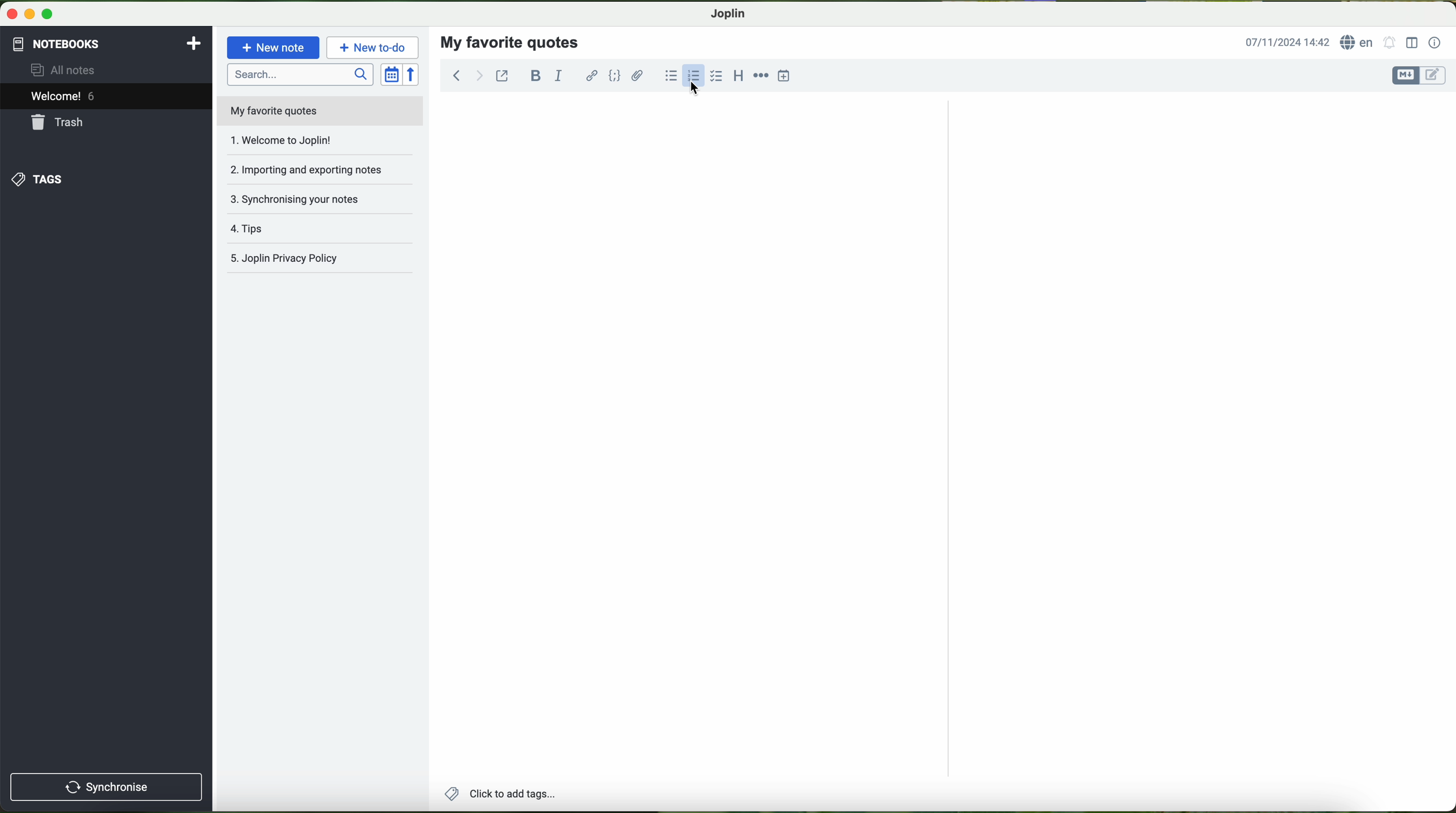 The height and width of the screenshot is (813, 1456). Describe the element at coordinates (389, 75) in the screenshot. I see `toggle sort order field` at that location.